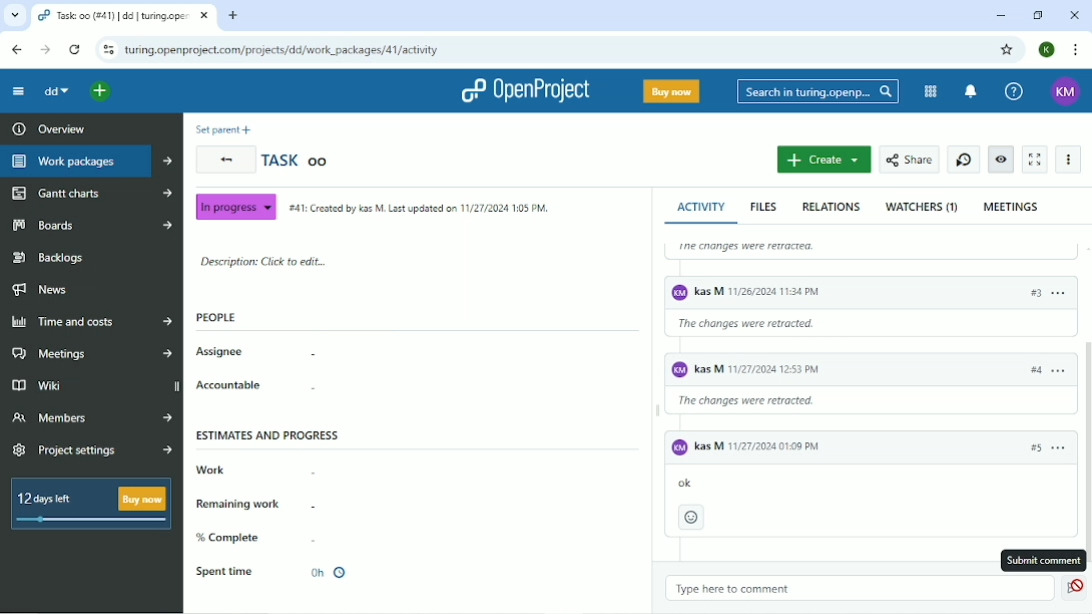 This screenshot has height=614, width=1092. I want to click on Work, so click(255, 470).